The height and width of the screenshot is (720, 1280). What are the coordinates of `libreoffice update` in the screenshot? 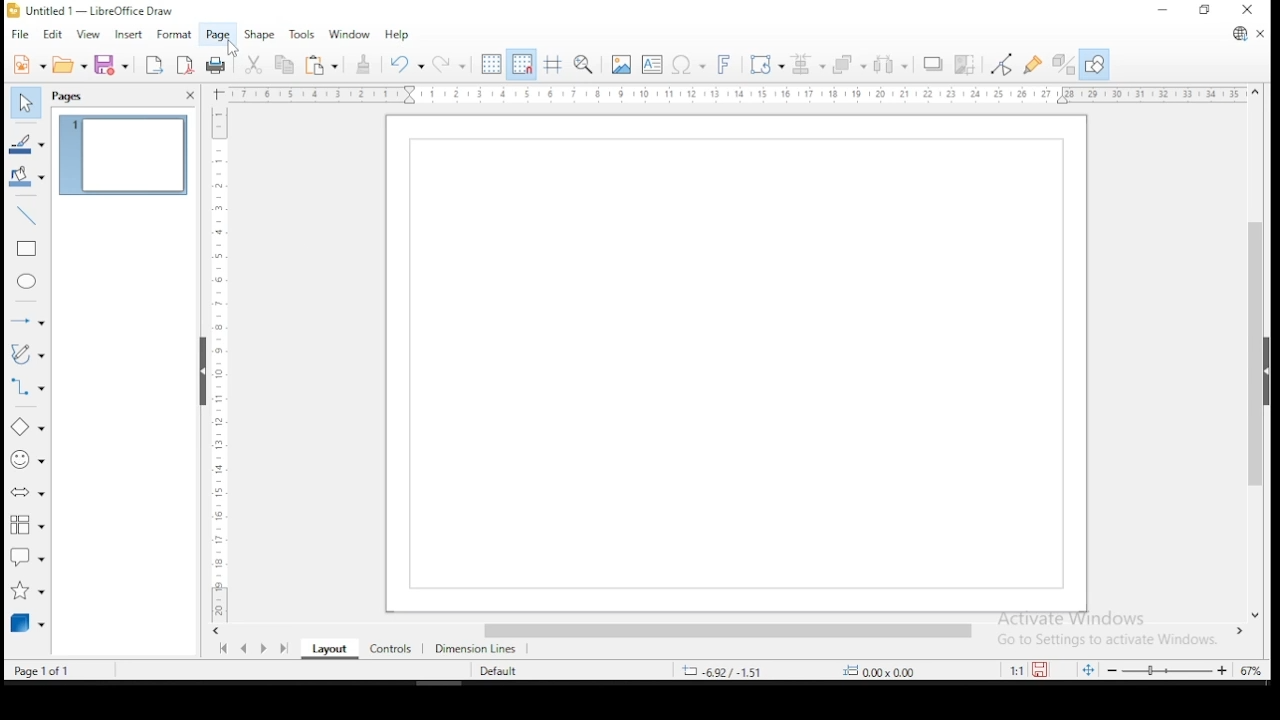 It's located at (1237, 35).